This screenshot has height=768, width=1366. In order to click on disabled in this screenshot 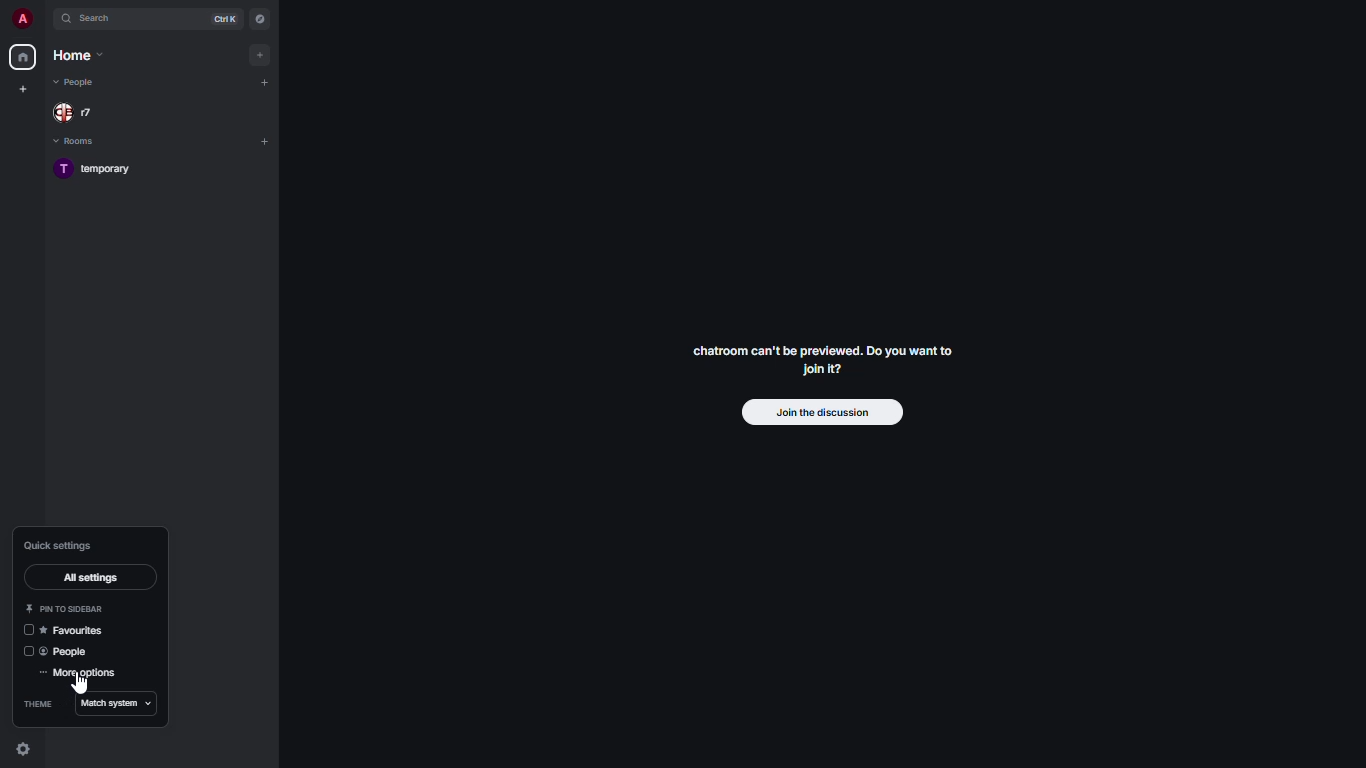, I will do `click(29, 650)`.